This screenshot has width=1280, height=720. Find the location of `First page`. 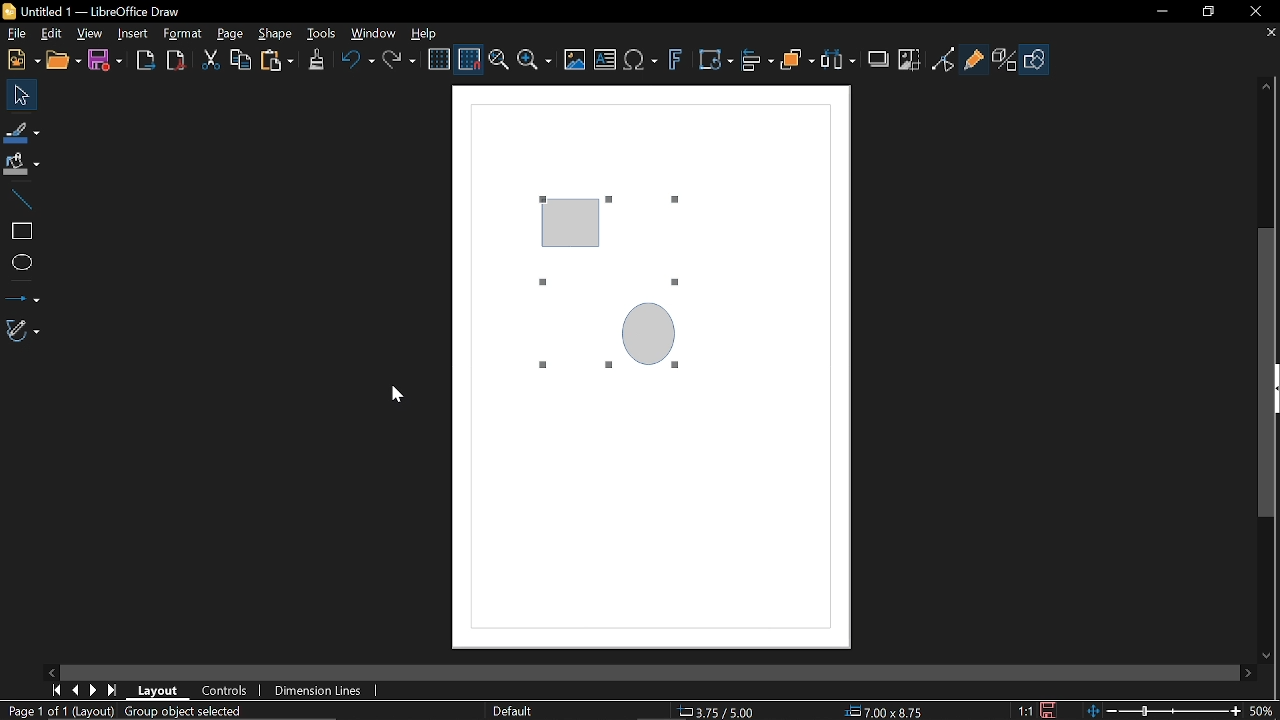

First page is located at coordinates (55, 690).